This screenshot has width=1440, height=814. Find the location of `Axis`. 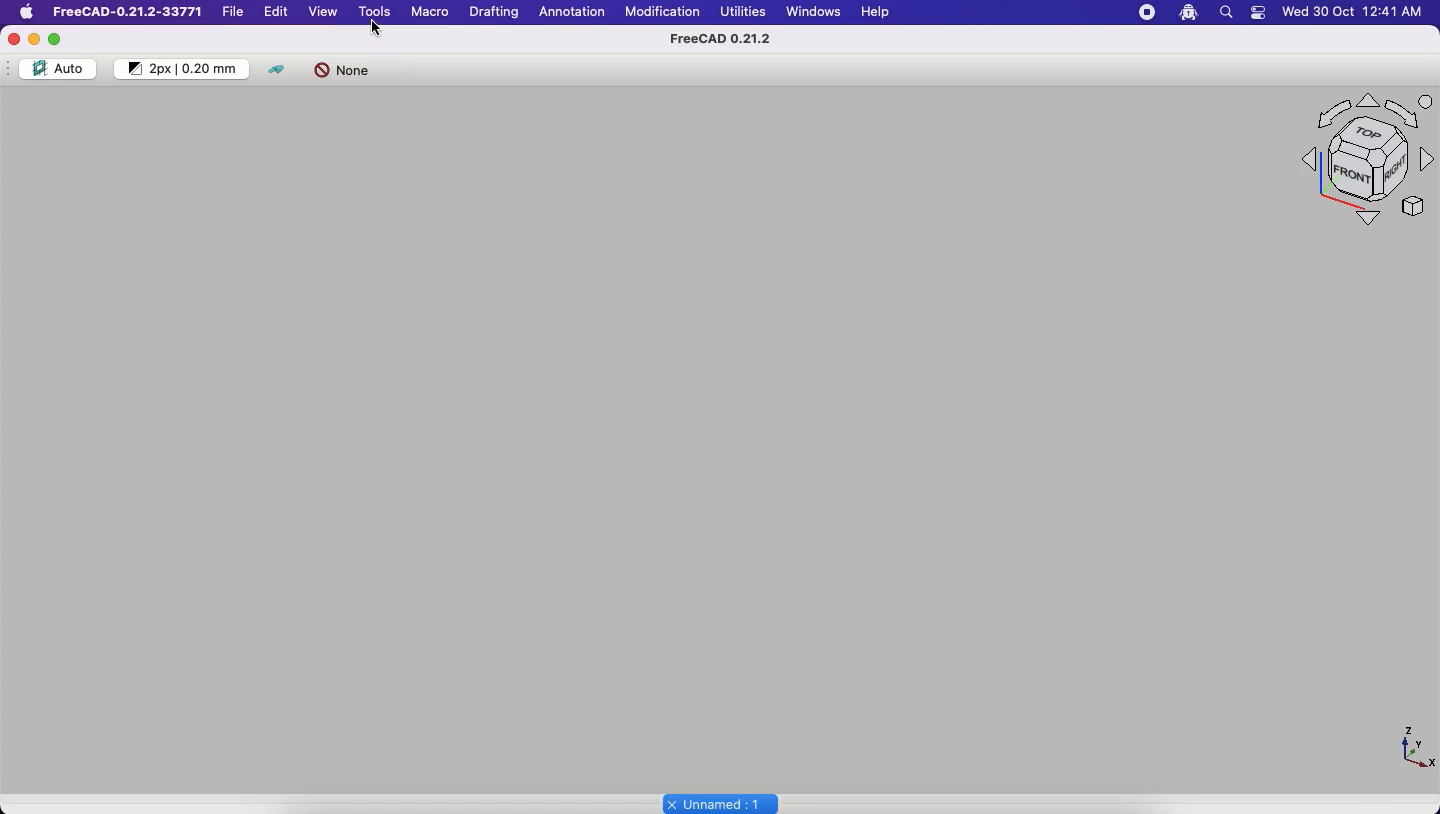

Axis is located at coordinates (1415, 747).